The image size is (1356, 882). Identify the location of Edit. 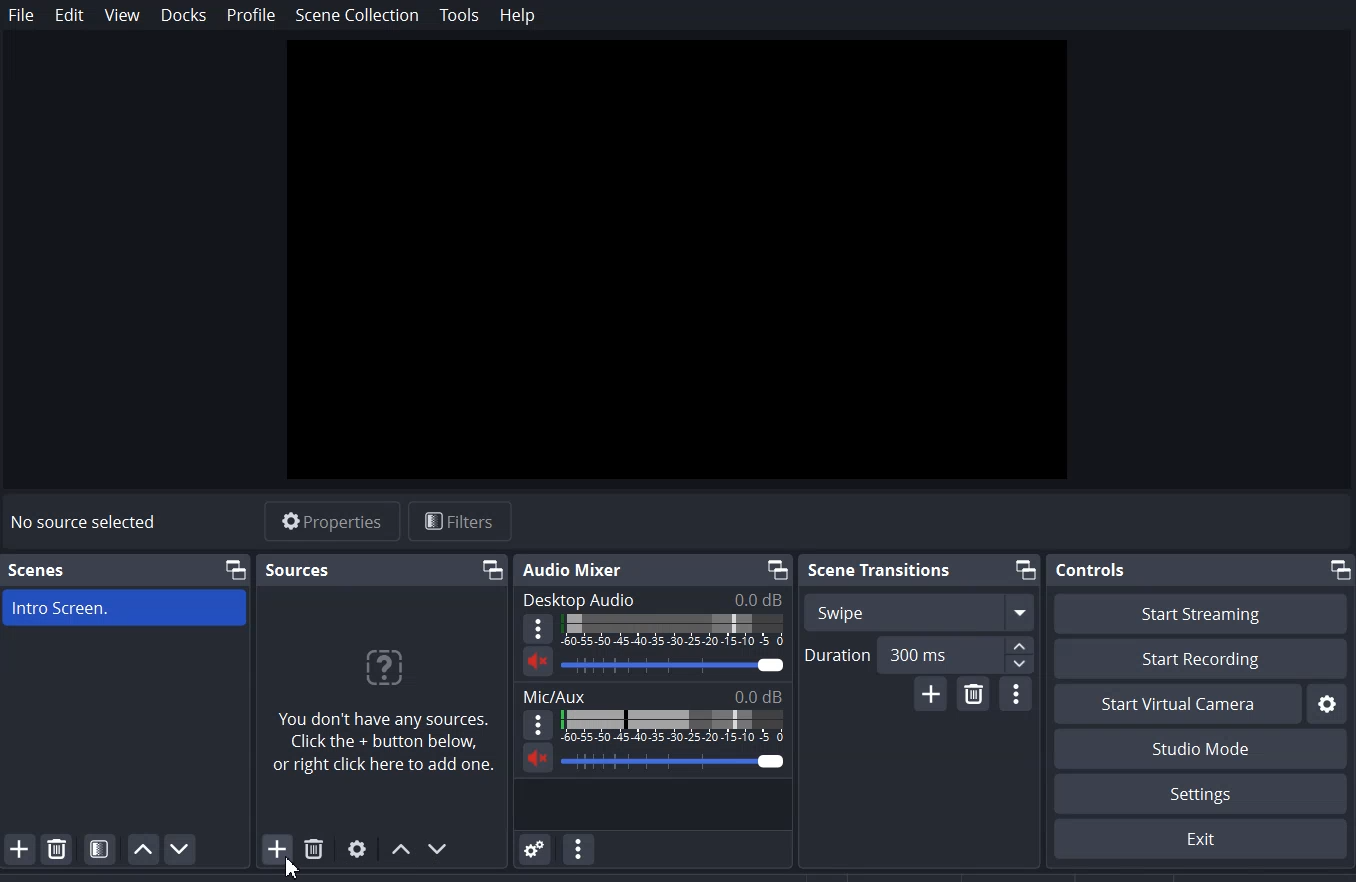
(71, 15).